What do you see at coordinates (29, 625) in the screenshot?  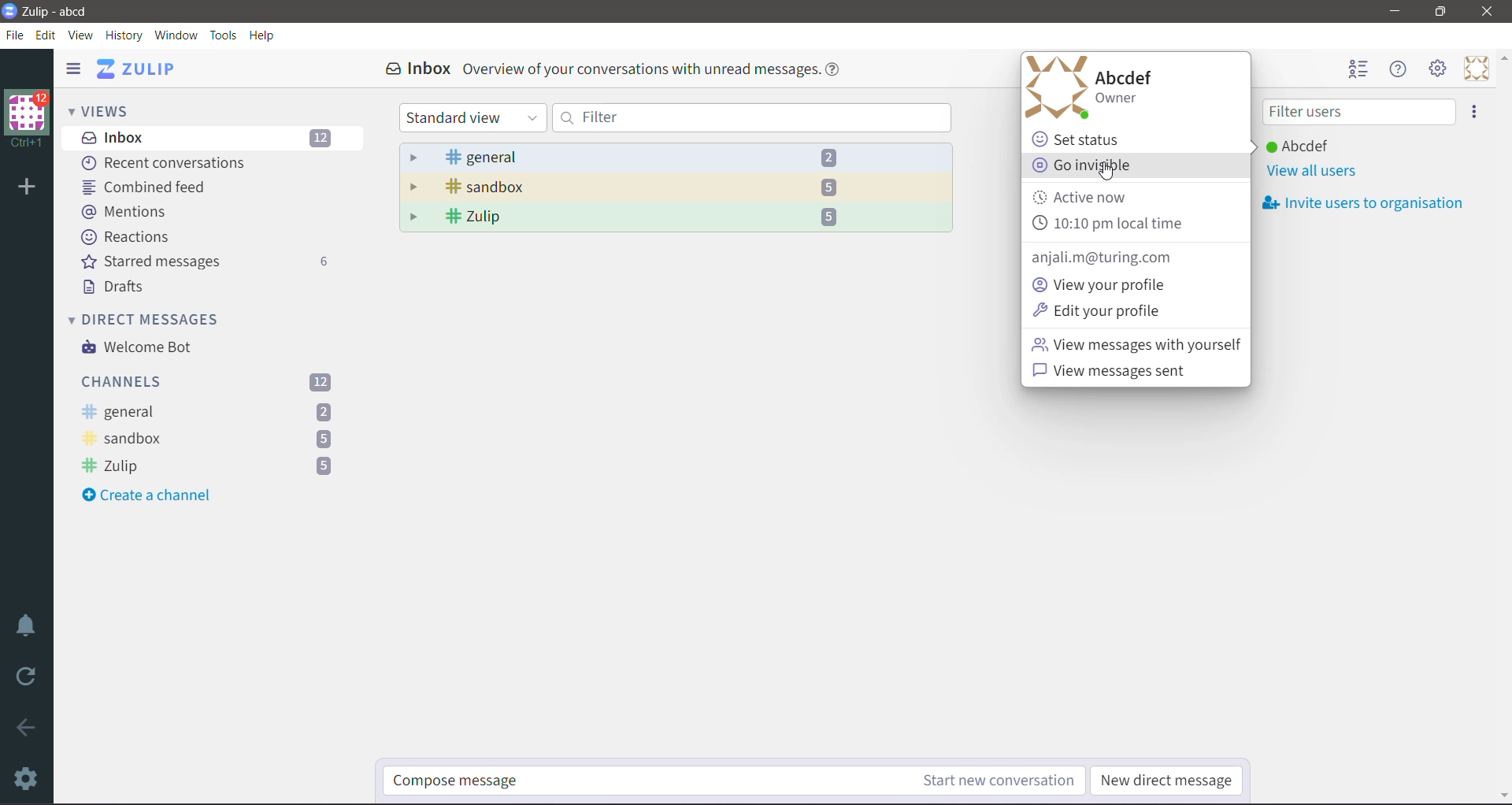 I see `Enable Do Not Disturb` at bounding box center [29, 625].